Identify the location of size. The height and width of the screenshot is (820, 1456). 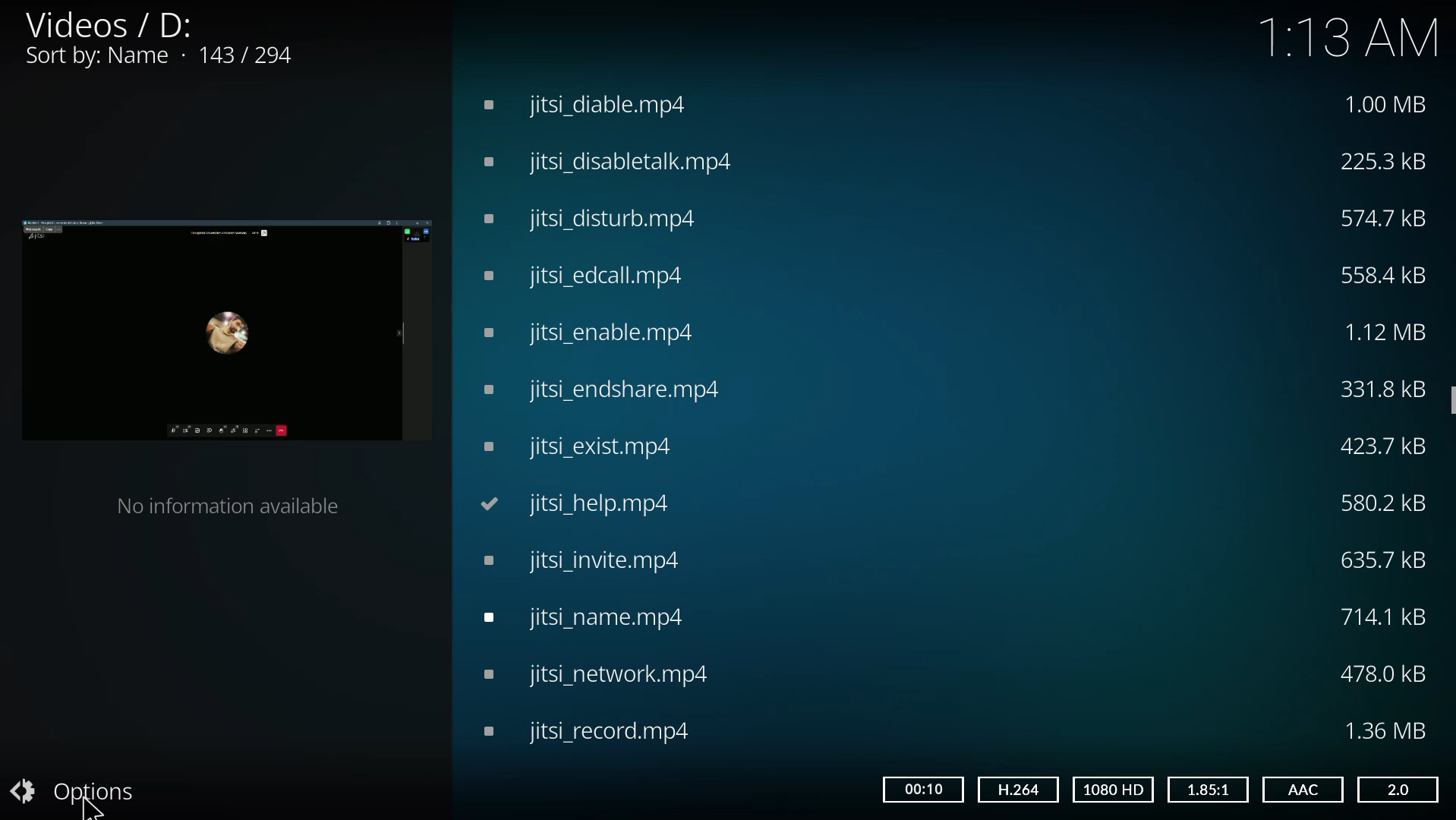
(1382, 216).